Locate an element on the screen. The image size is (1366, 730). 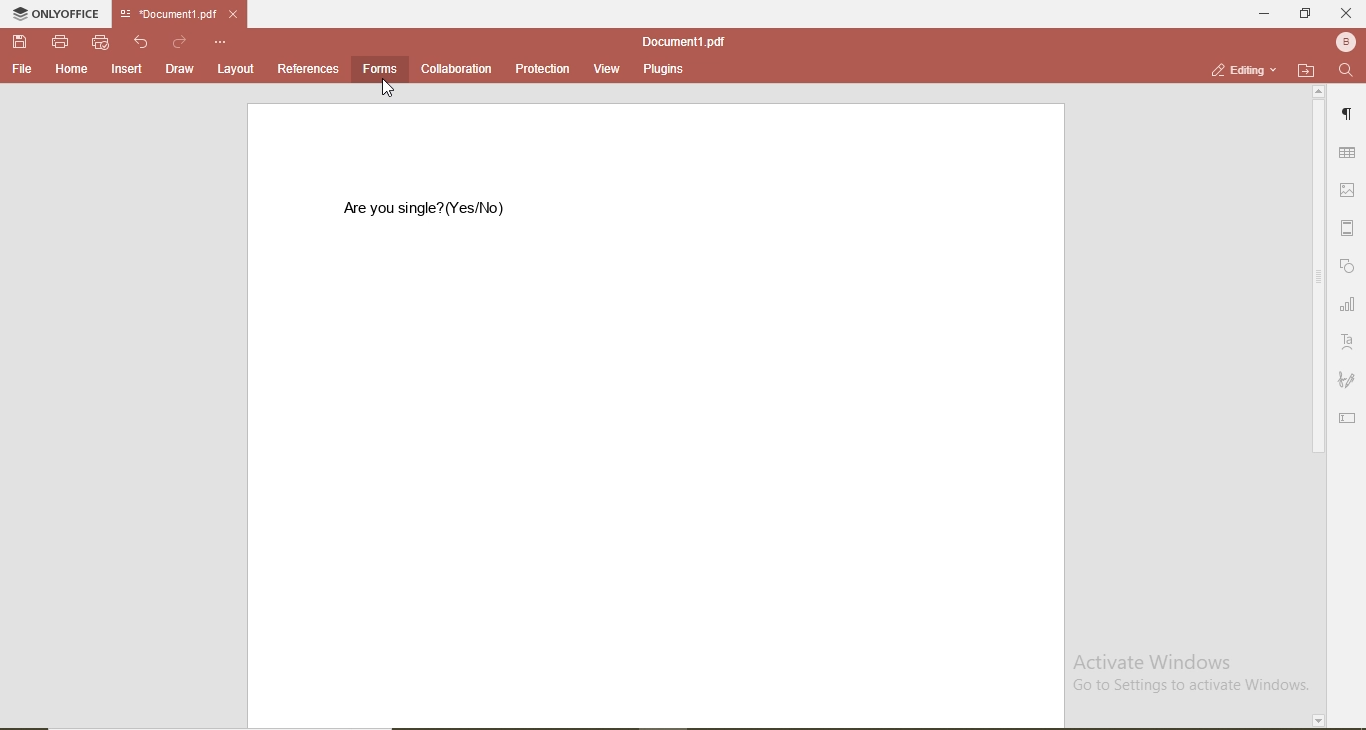
cursor is located at coordinates (389, 91).